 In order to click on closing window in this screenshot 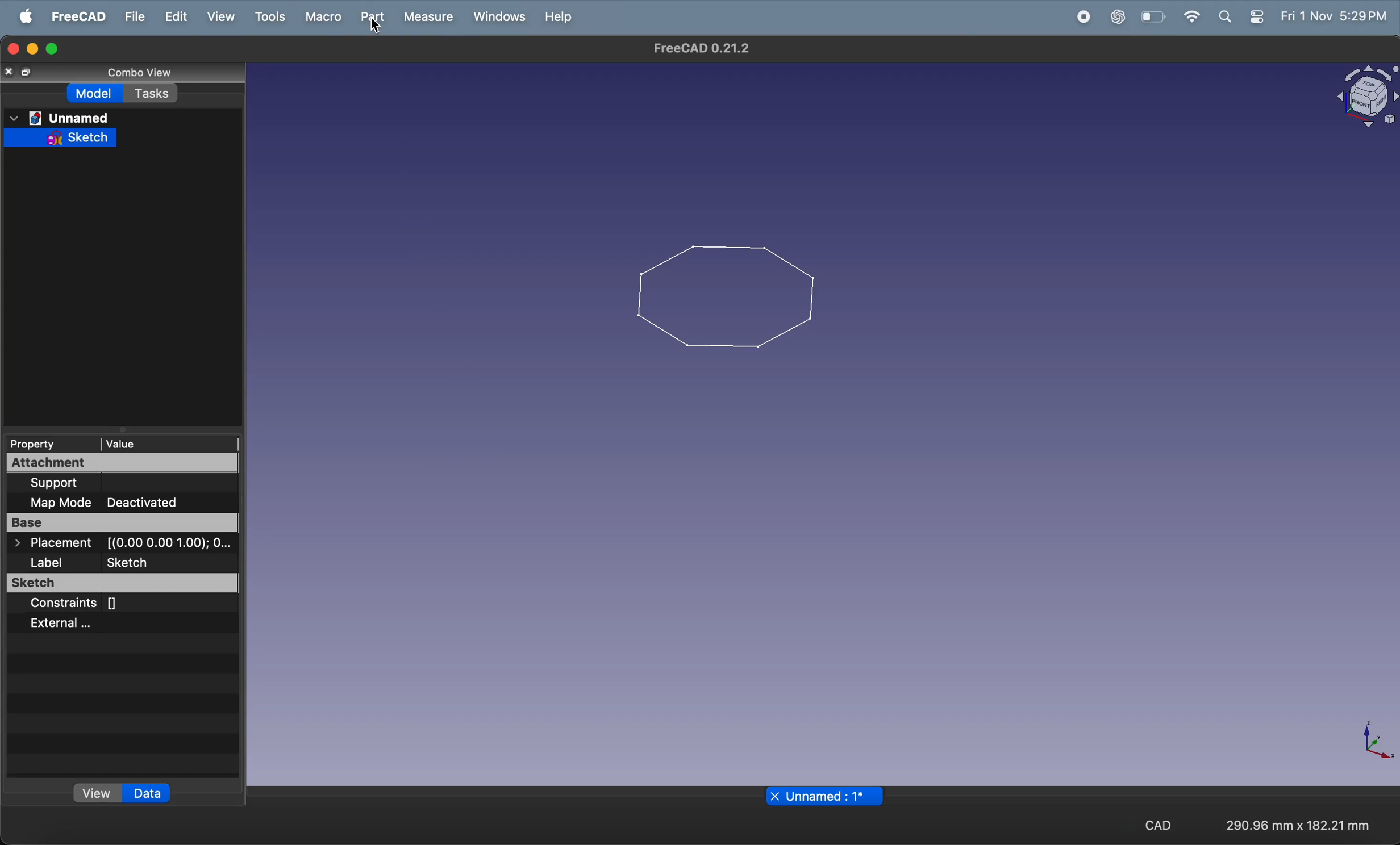, I will do `click(14, 49)`.